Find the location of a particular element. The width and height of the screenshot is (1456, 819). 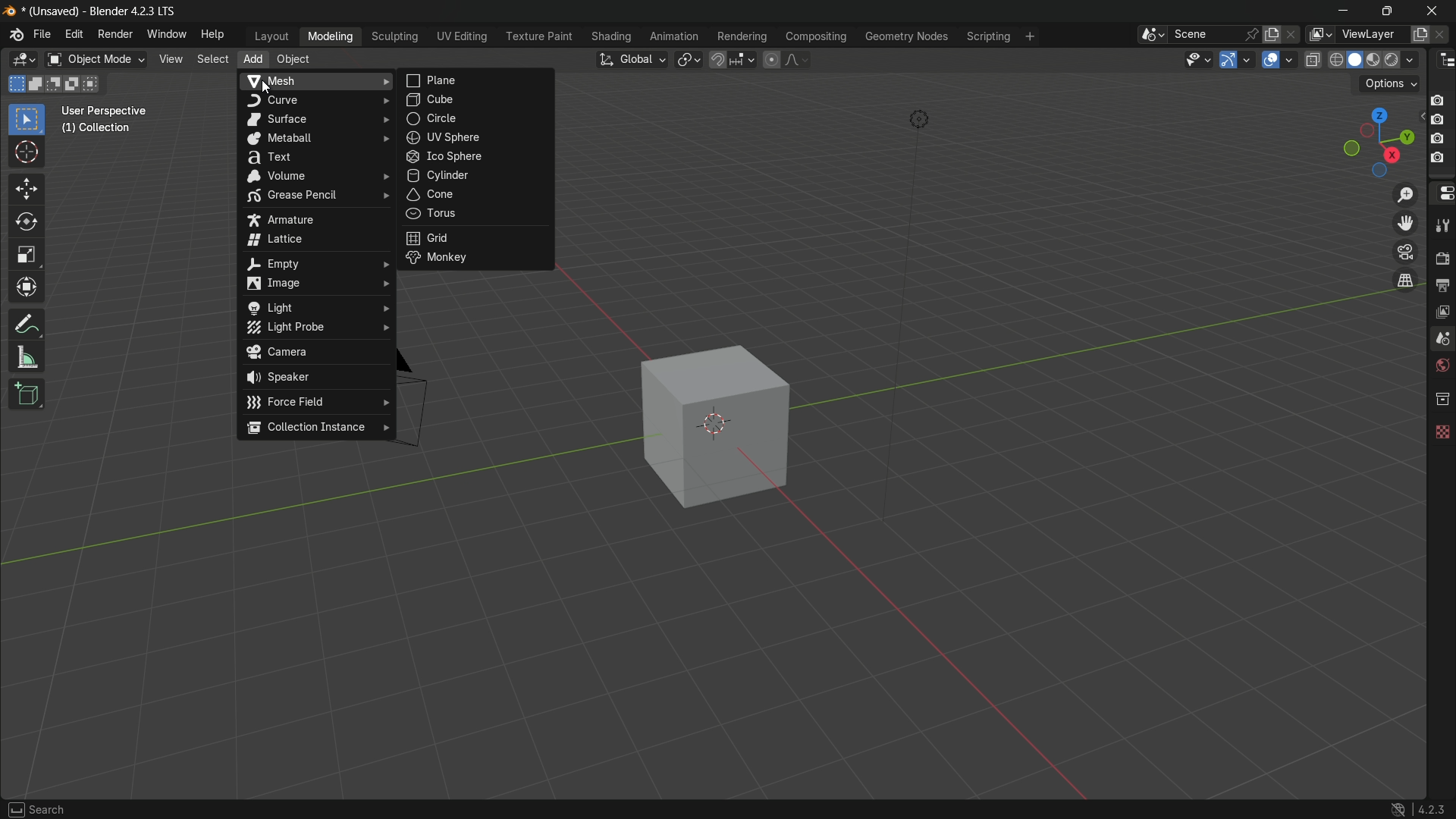

light is located at coordinates (318, 306).